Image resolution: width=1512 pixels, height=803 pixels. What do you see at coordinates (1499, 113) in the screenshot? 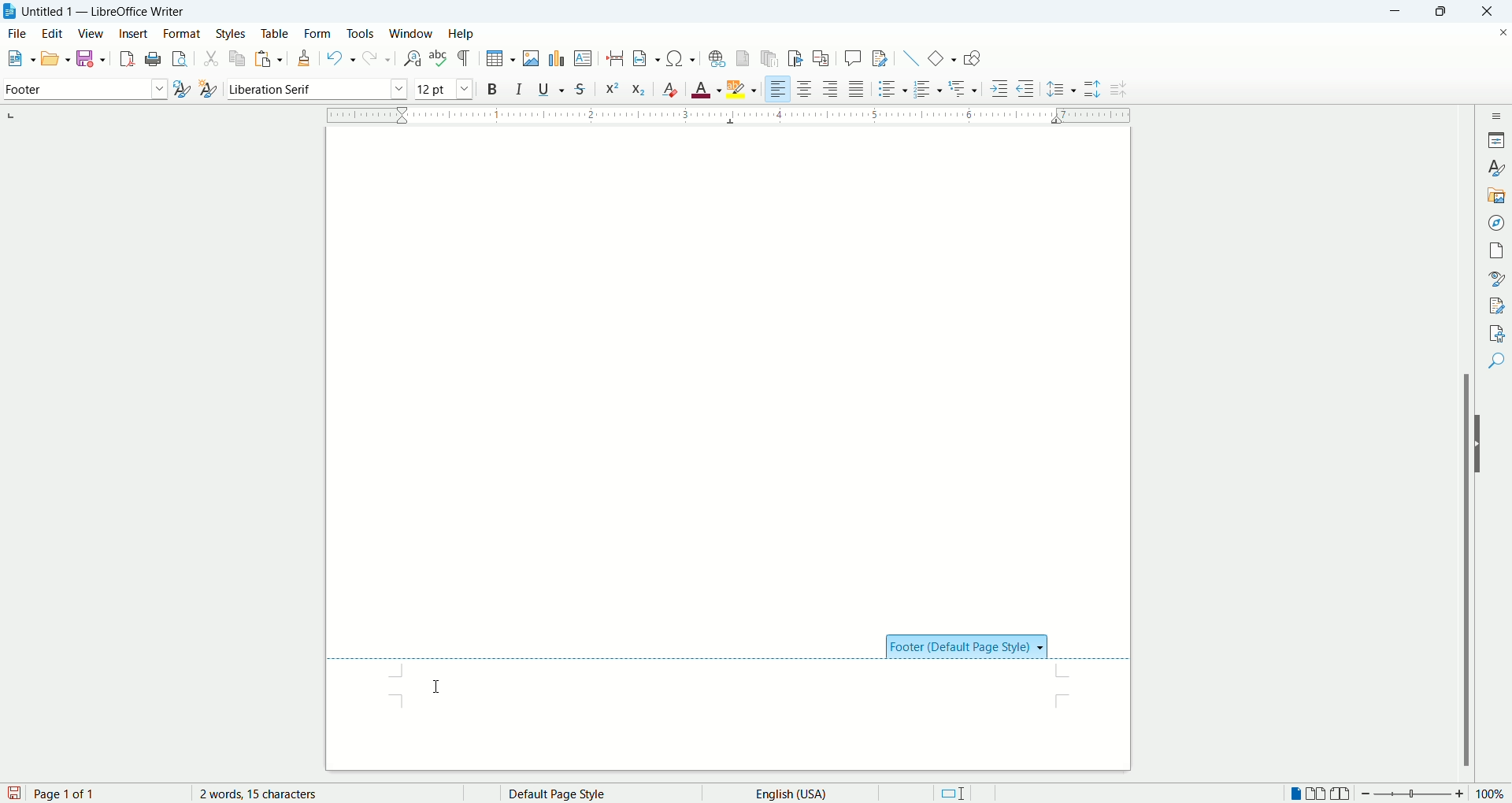
I see `sidebar settings` at bounding box center [1499, 113].